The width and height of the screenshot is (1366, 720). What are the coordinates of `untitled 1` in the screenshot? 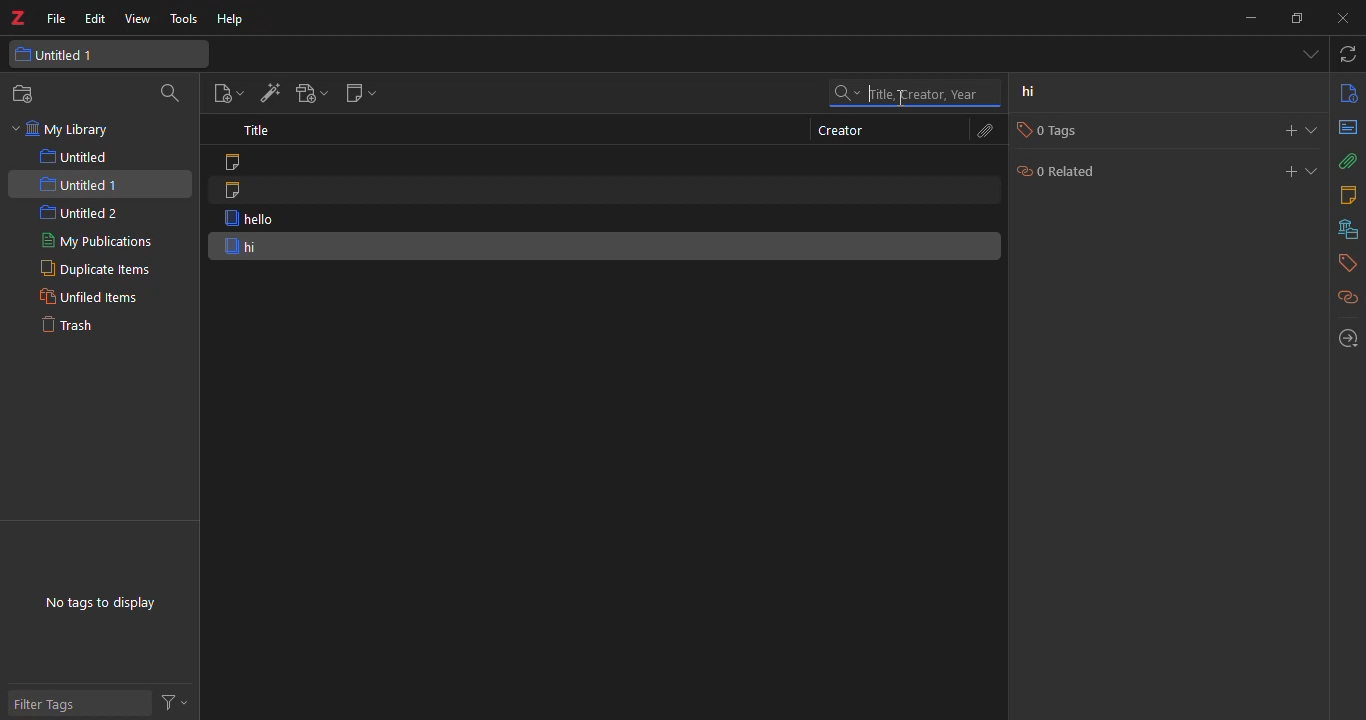 It's located at (57, 54).